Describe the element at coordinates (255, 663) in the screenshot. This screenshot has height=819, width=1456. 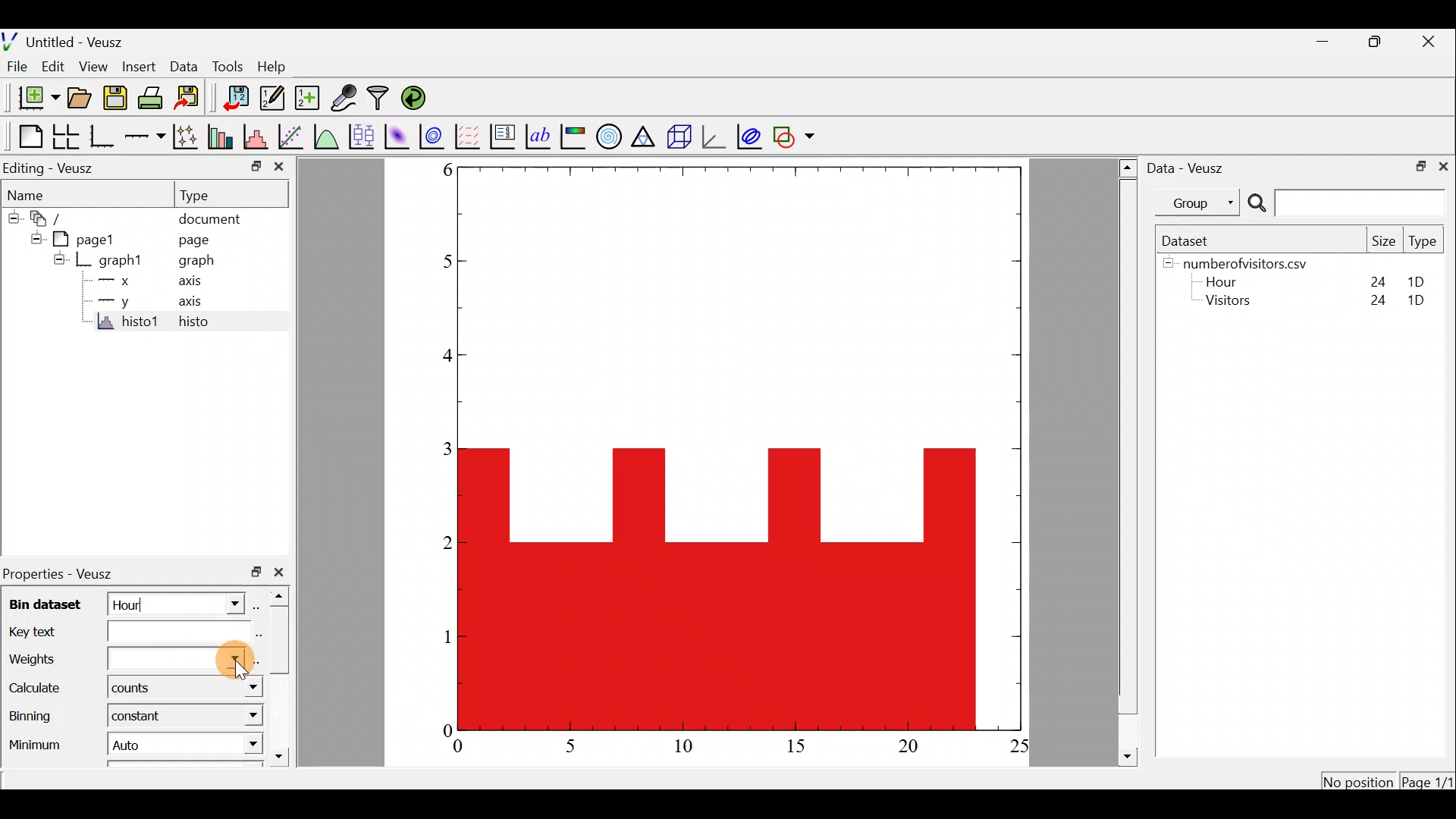
I see `select using dataset browser` at that location.